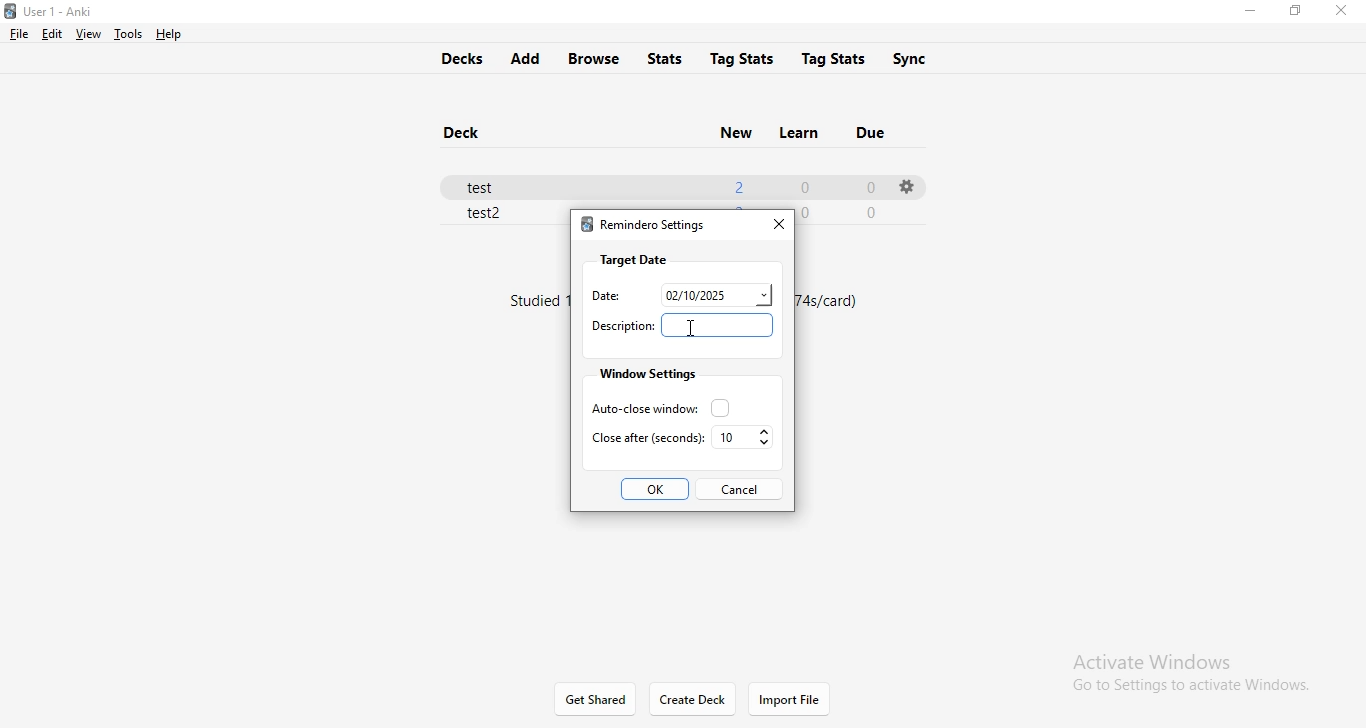  I want to click on close, so click(1345, 11).